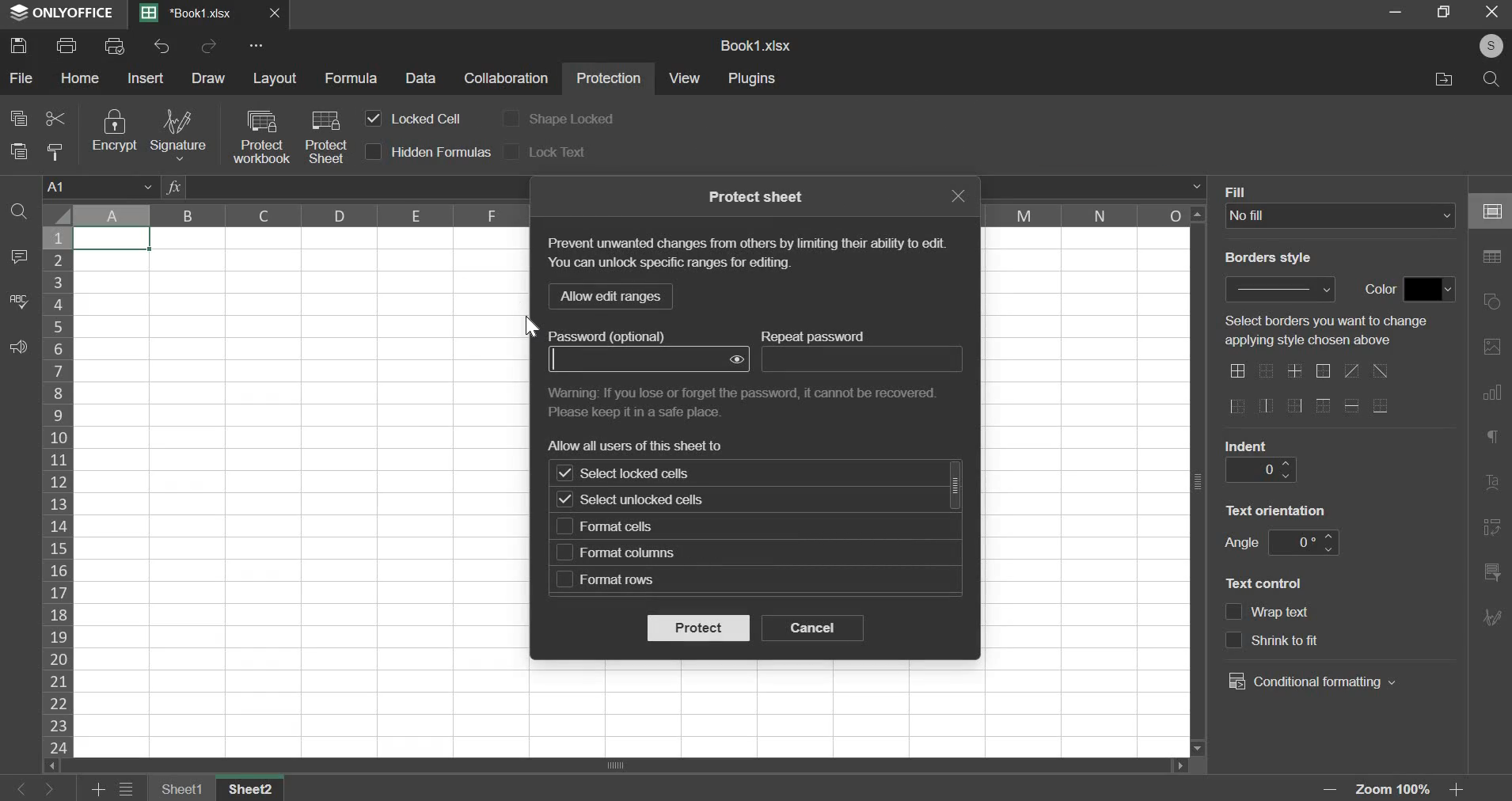 This screenshot has width=1512, height=801. Describe the element at coordinates (572, 120) in the screenshot. I see `shape locked` at that location.